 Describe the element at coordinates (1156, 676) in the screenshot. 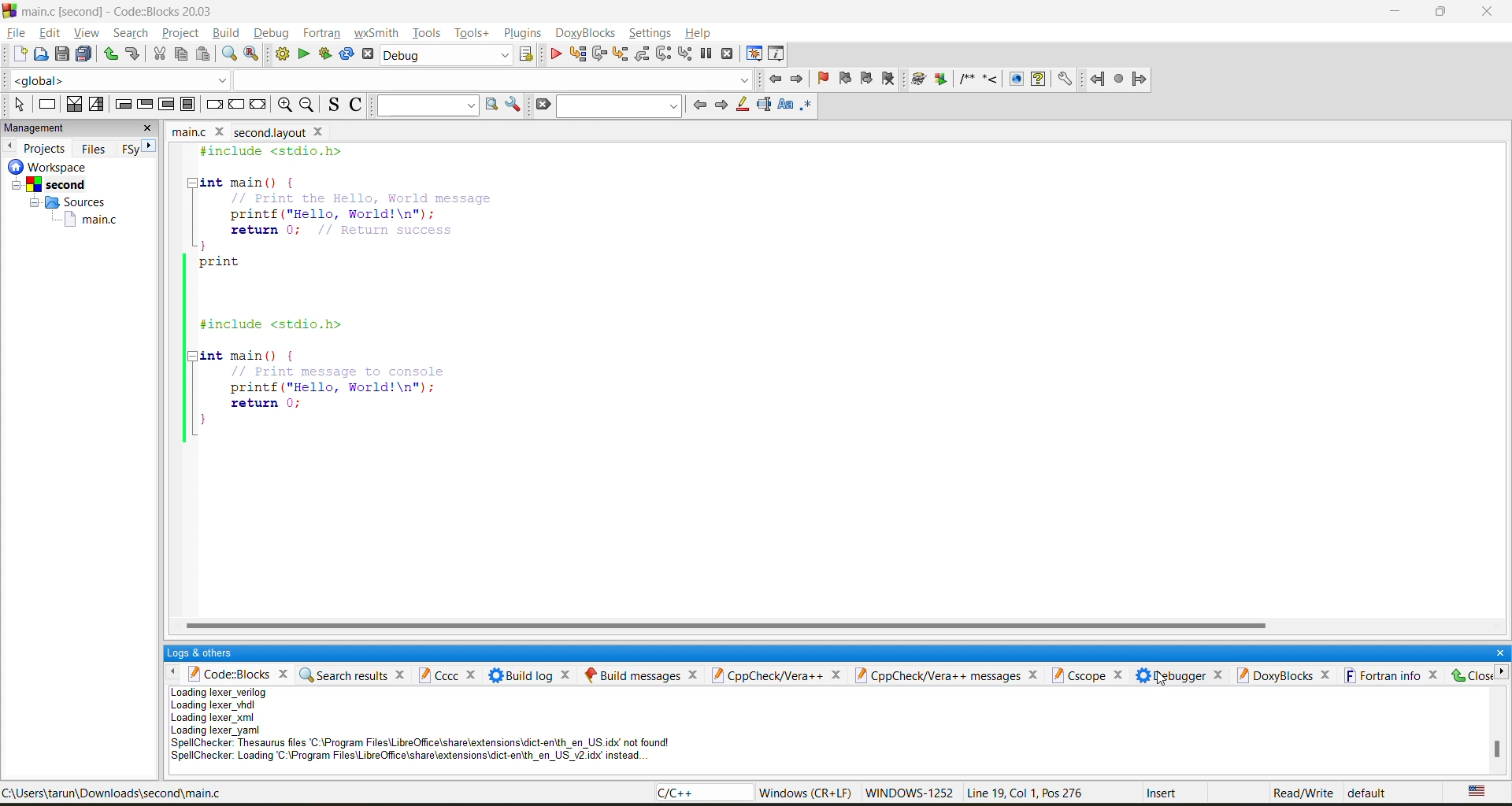

I see `cursor` at that location.